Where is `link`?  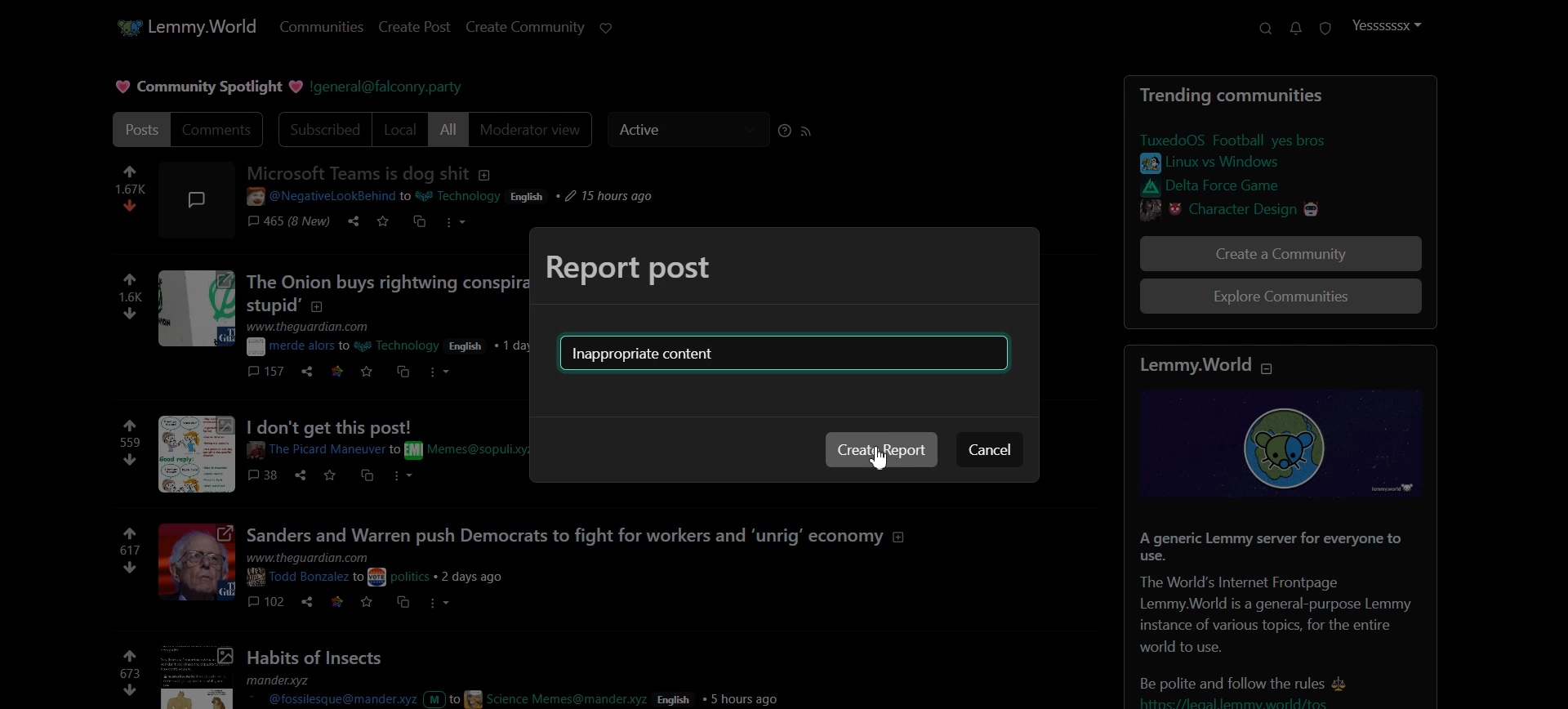
link is located at coordinates (1253, 140).